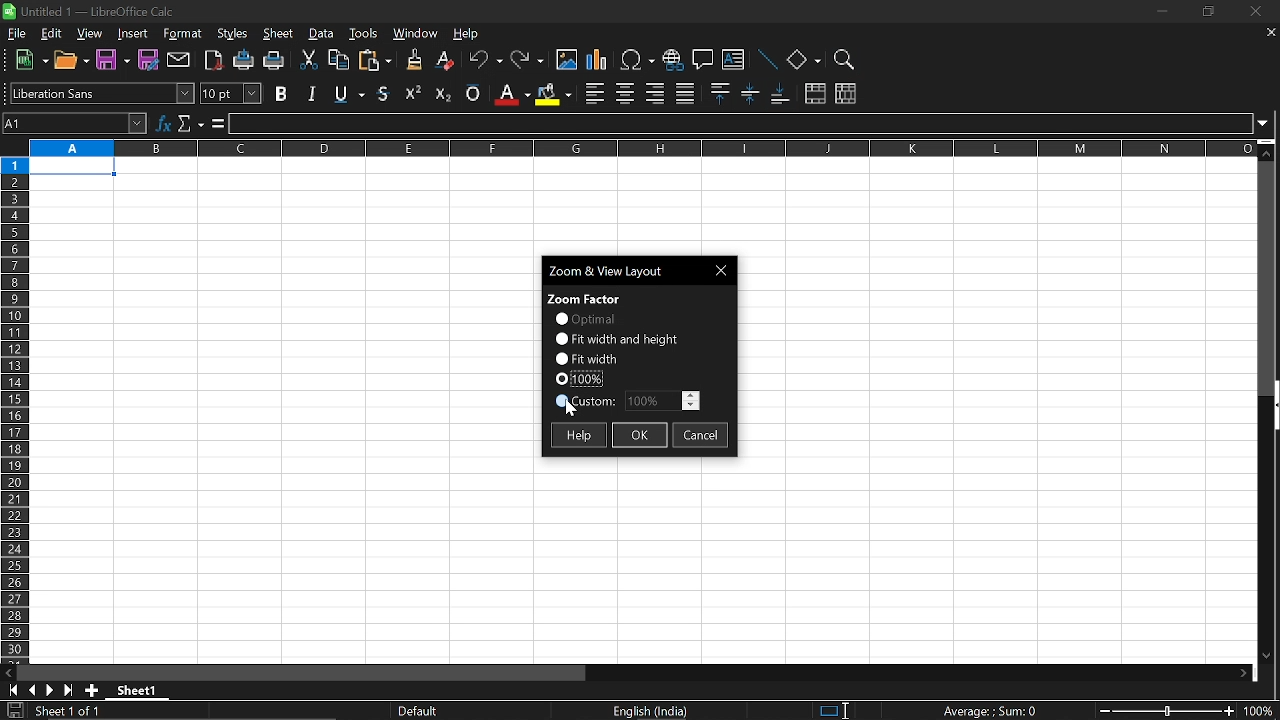  I want to click on text style, so click(102, 93).